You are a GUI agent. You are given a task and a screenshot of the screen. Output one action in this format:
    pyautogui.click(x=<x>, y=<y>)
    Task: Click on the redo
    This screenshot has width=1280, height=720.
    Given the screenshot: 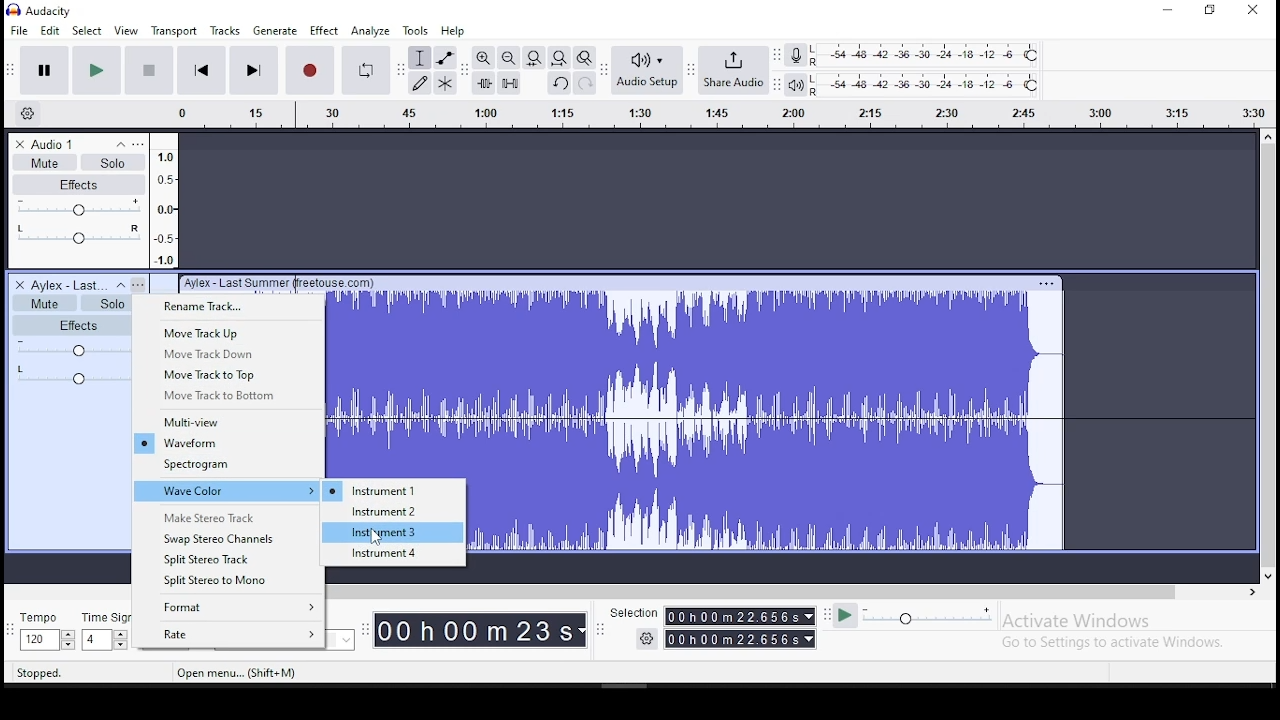 What is the action you would take?
    pyautogui.click(x=585, y=83)
    